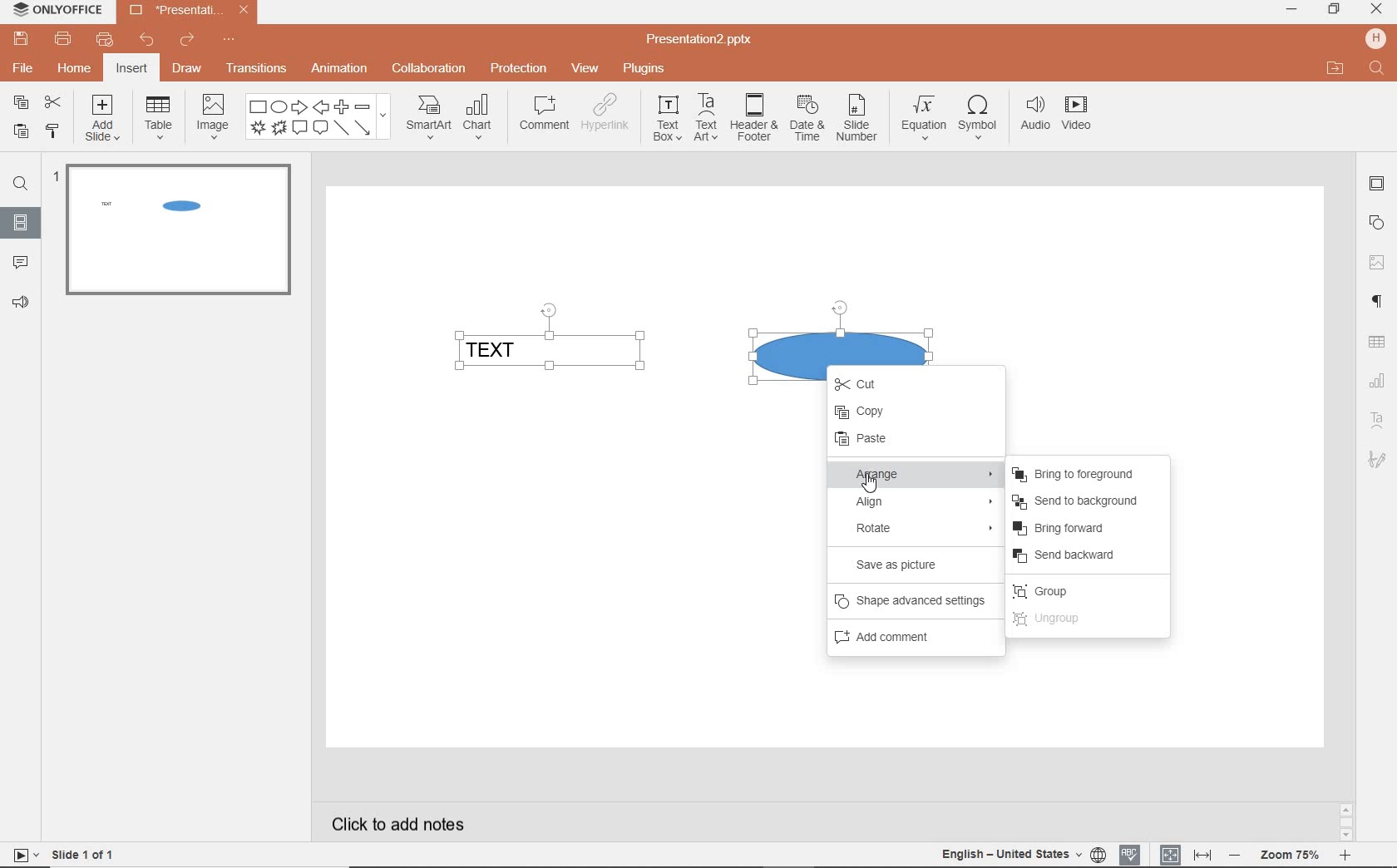  Describe the element at coordinates (840, 333) in the screenshot. I see `SHAPE SELECTED` at that location.